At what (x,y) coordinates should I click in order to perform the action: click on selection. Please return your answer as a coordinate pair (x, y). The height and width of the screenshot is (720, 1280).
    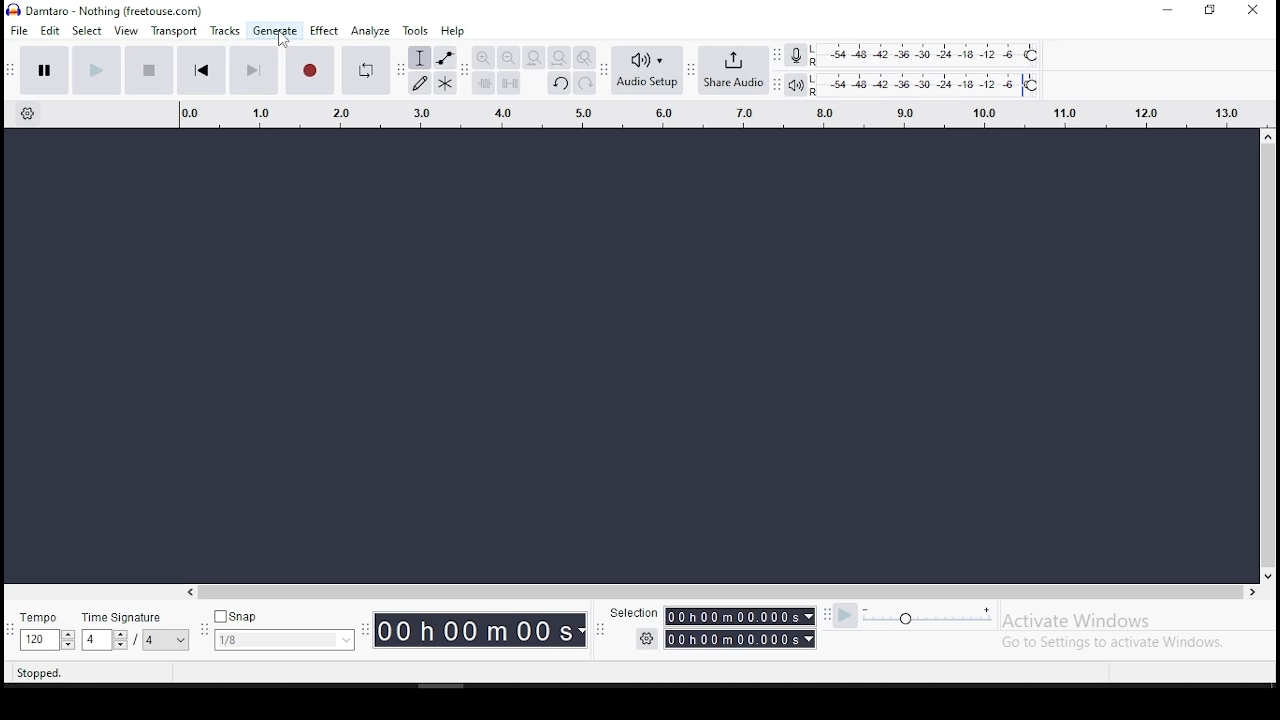
    Looking at the image, I should click on (635, 614).